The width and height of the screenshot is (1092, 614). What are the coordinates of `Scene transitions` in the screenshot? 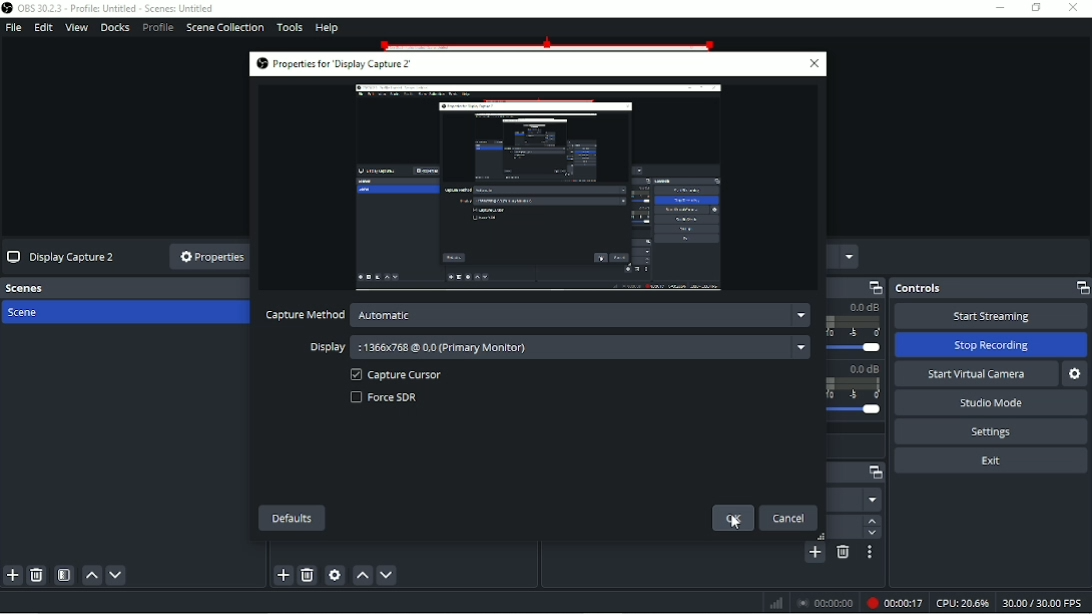 It's located at (857, 473).